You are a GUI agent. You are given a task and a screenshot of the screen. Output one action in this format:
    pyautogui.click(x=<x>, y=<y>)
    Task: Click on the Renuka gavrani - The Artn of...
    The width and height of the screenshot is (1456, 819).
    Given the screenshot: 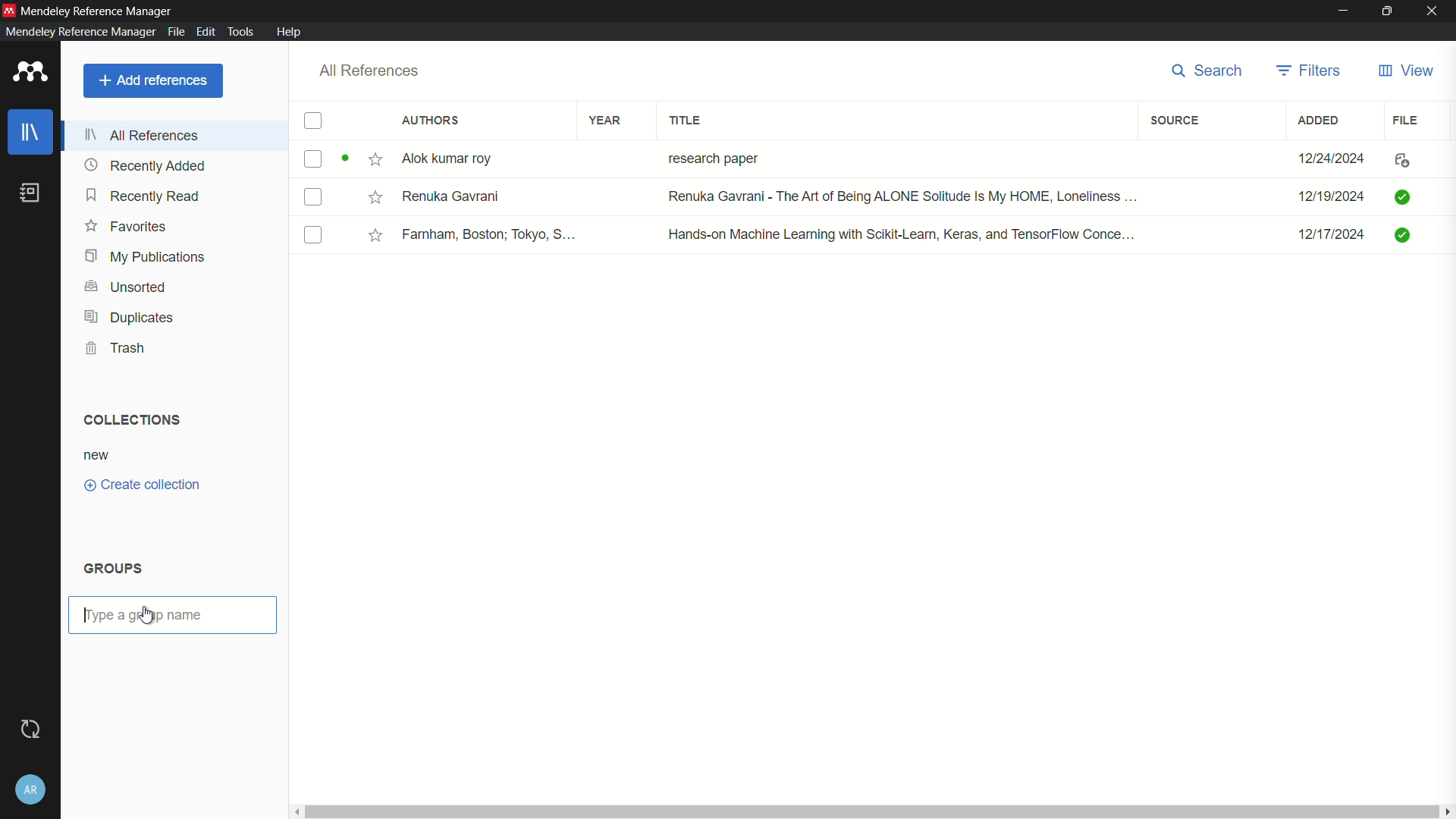 What is the action you would take?
    pyautogui.click(x=897, y=198)
    